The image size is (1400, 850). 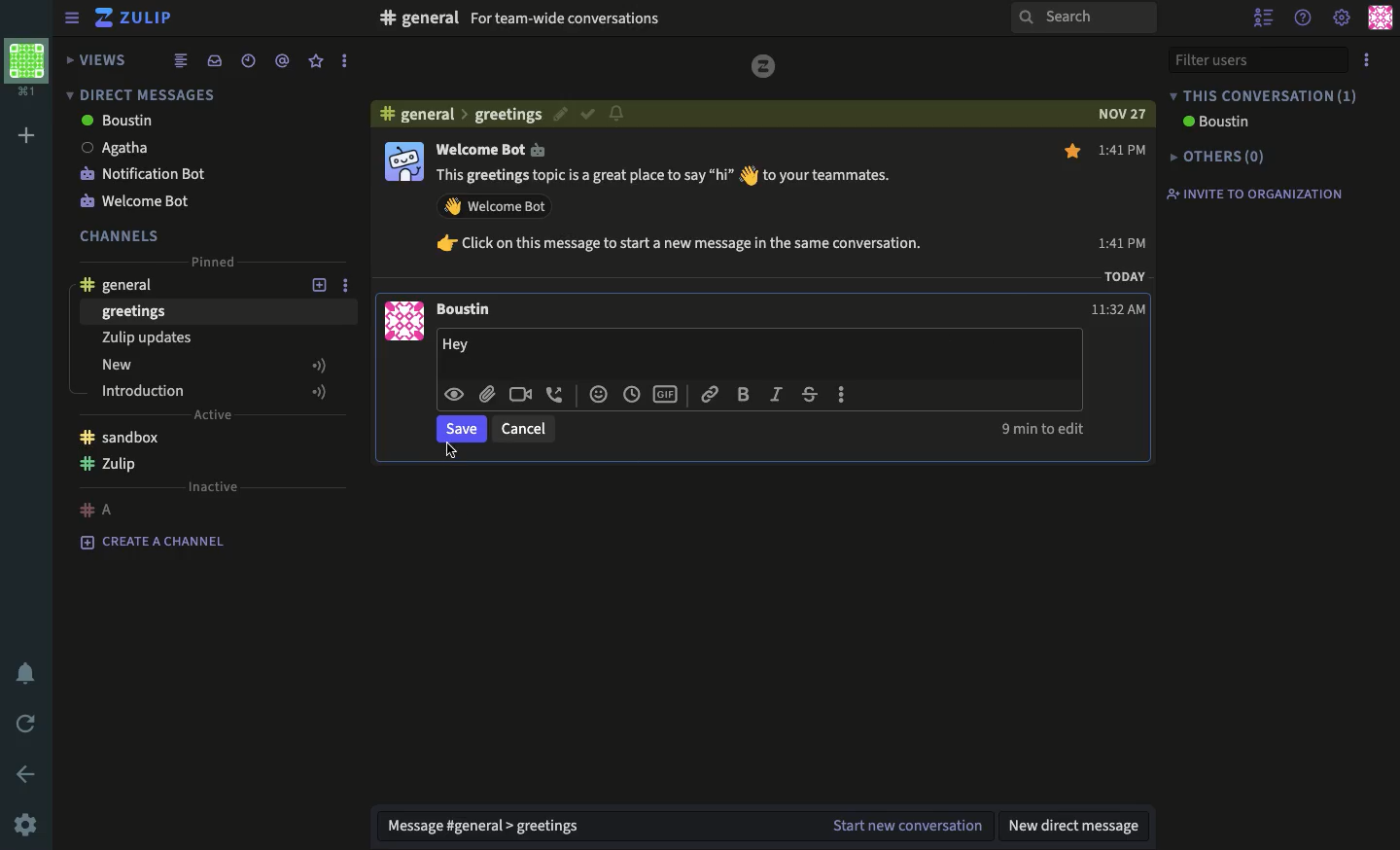 What do you see at coordinates (1255, 57) in the screenshot?
I see `filter users` at bounding box center [1255, 57].